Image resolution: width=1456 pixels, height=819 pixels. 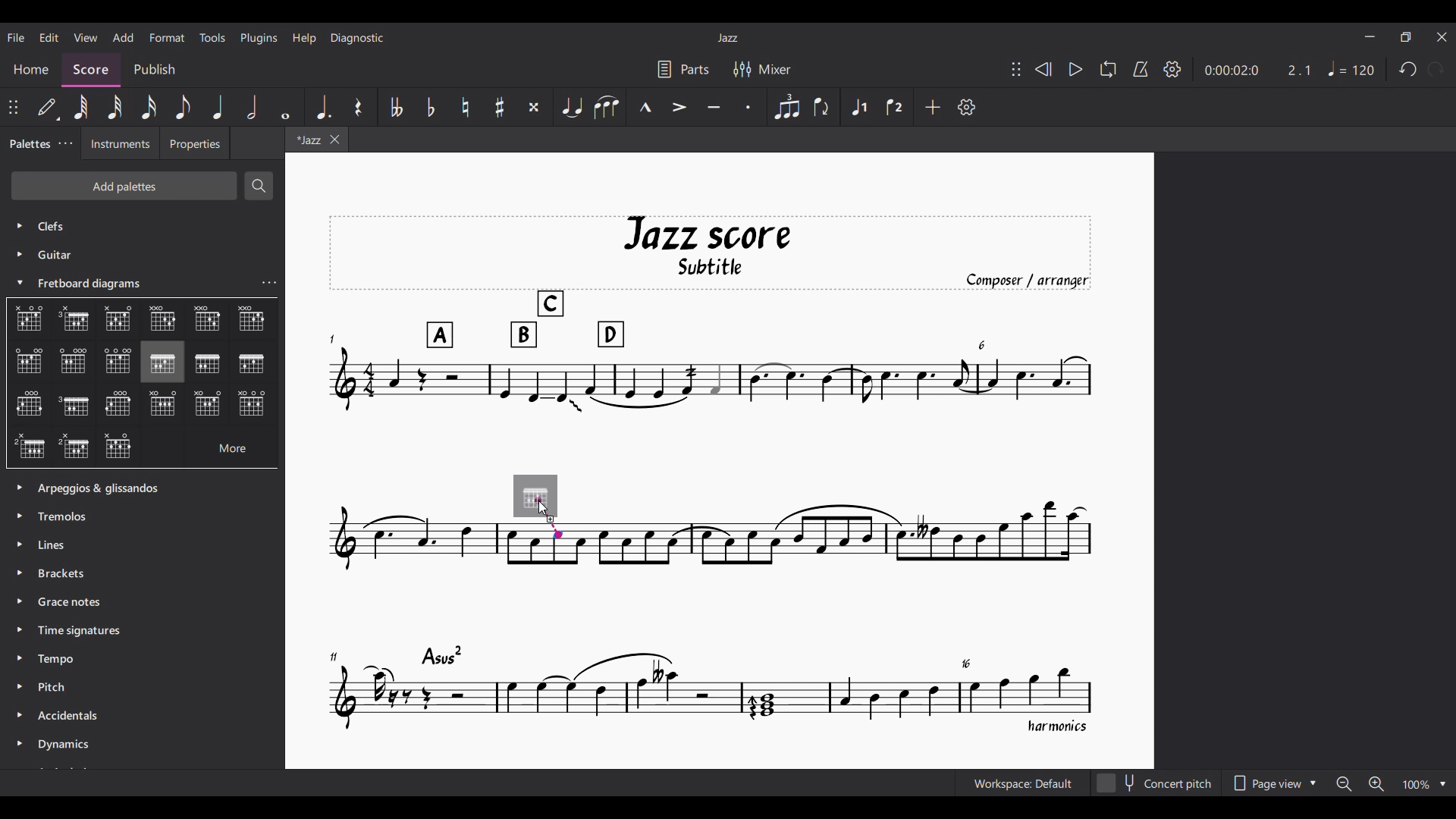 I want to click on Chart5, so click(x=252, y=319).